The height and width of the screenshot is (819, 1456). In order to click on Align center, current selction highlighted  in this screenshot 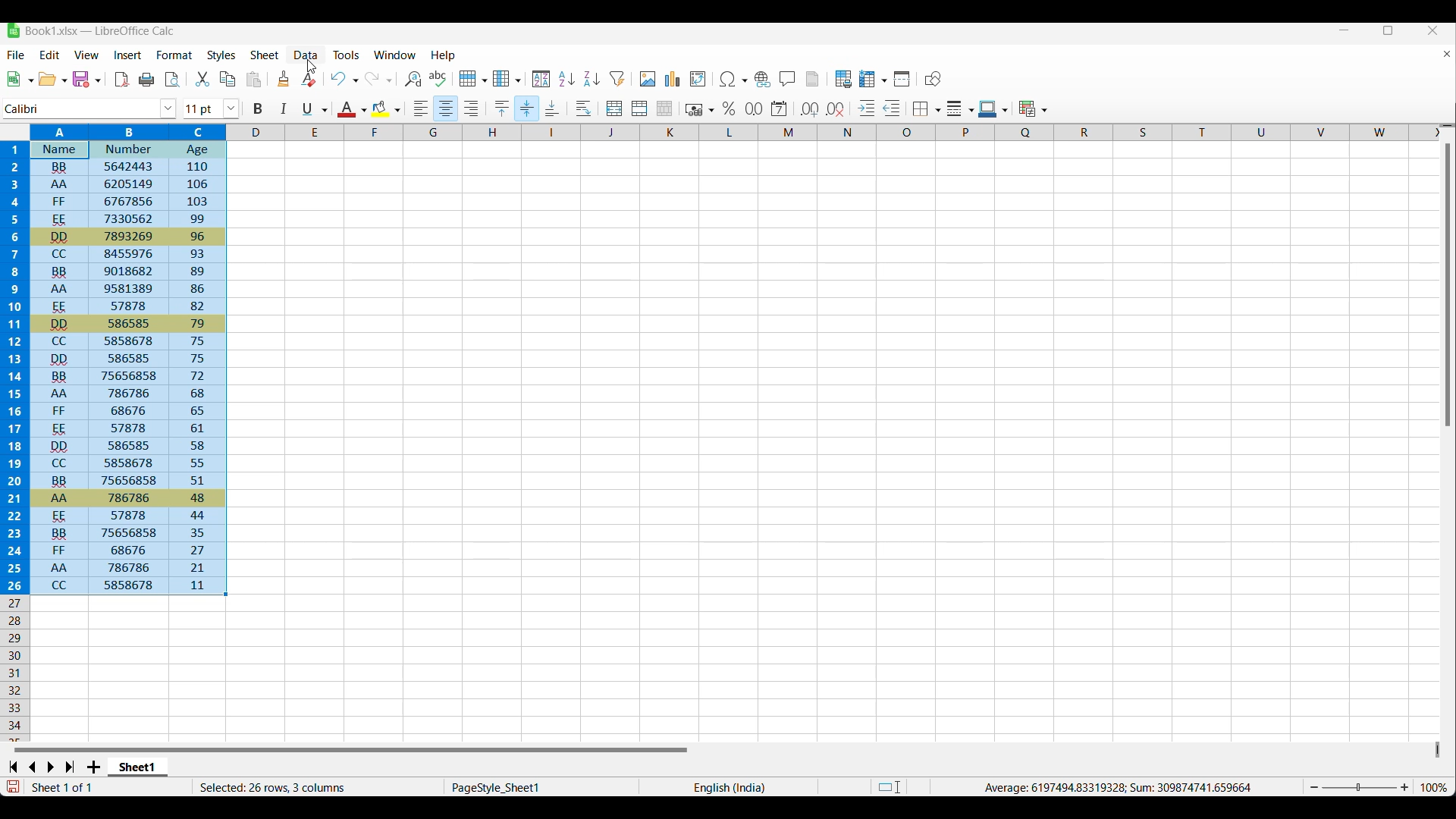, I will do `click(446, 108)`.